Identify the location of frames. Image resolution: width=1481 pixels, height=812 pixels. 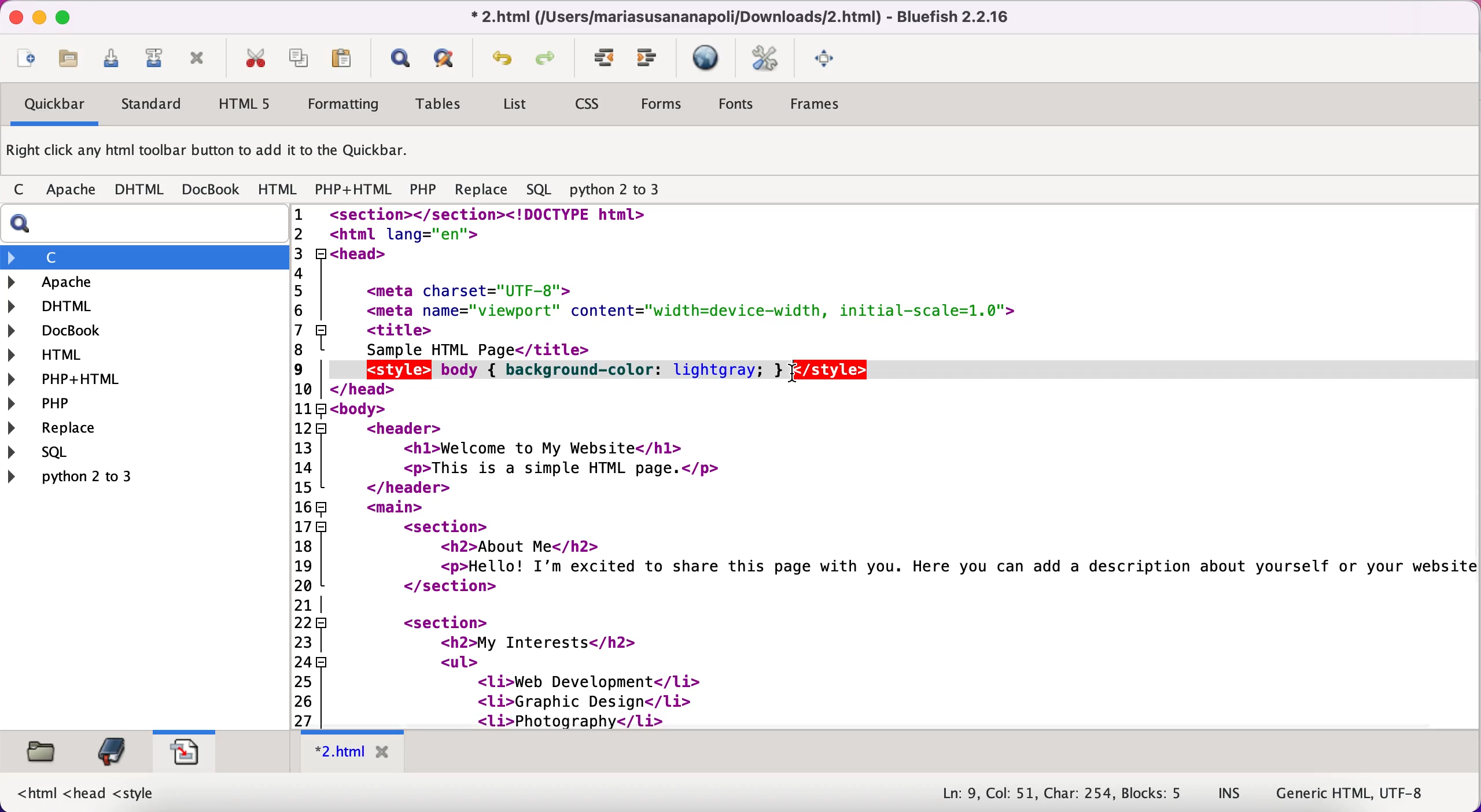
(818, 104).